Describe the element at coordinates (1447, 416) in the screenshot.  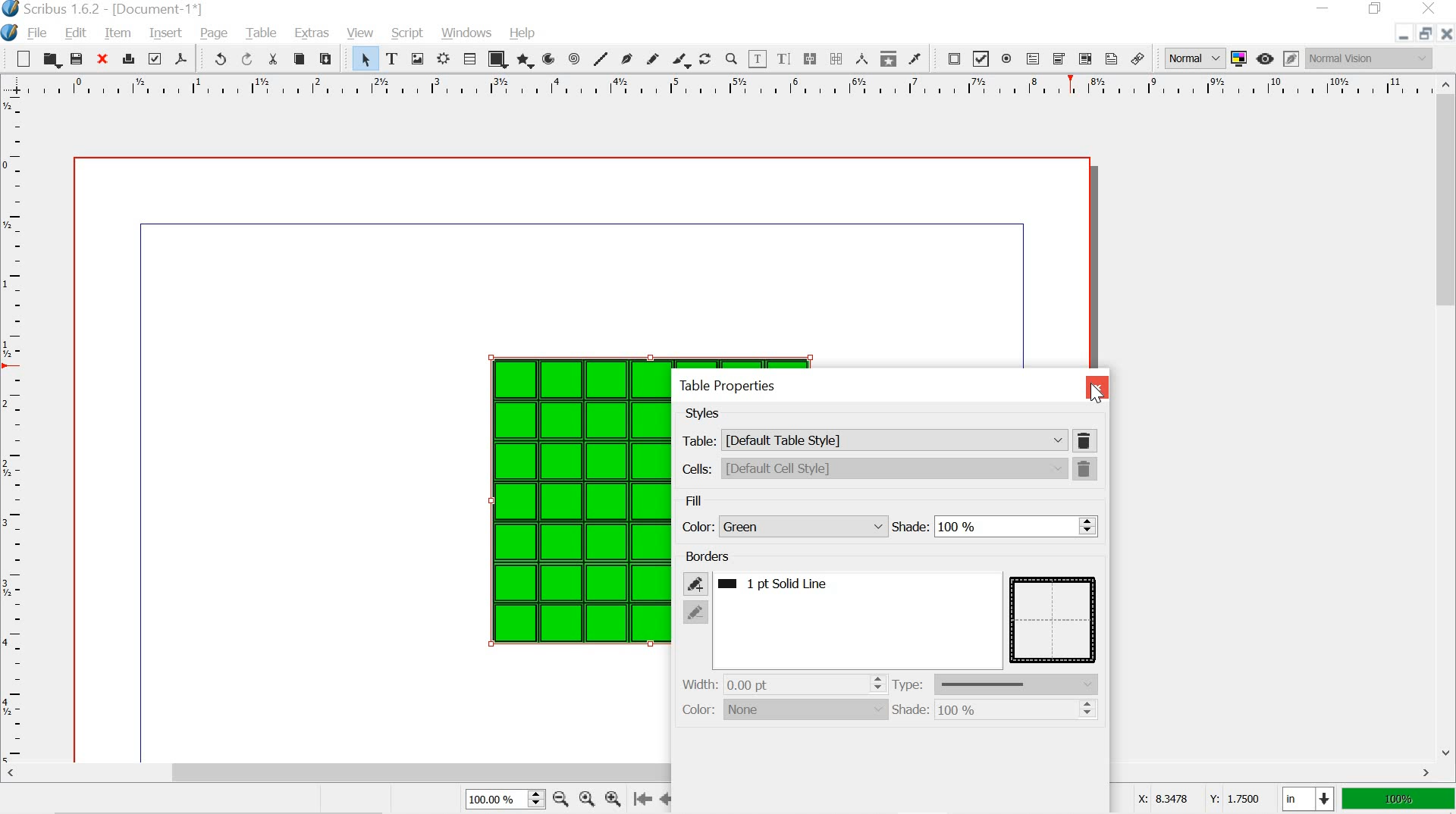
I see `scrollbar` at that location.